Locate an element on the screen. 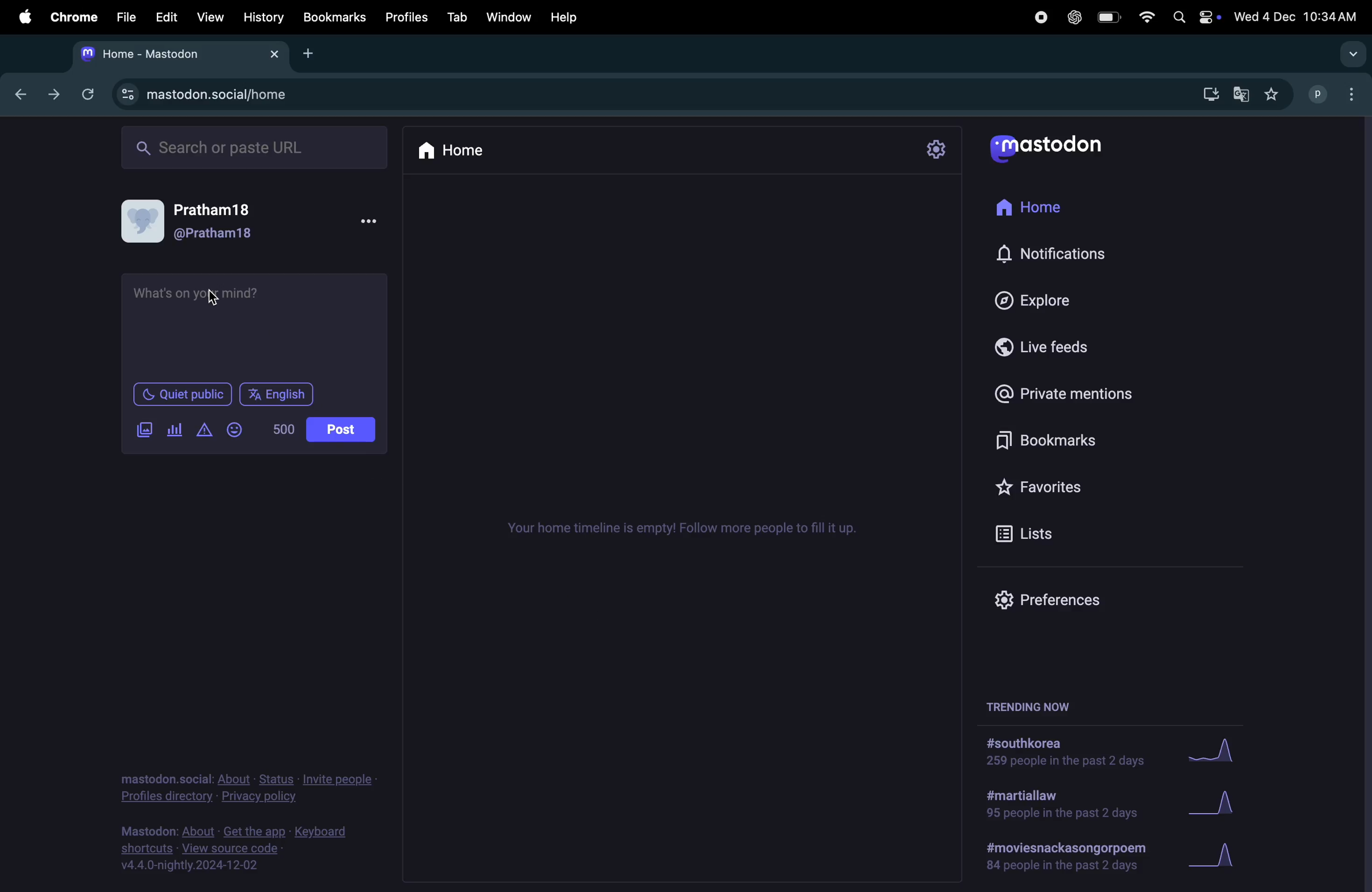 Image resolution: width=1372 pixels, height=892 pixels. Lists is located at coordinates (1032, 532).